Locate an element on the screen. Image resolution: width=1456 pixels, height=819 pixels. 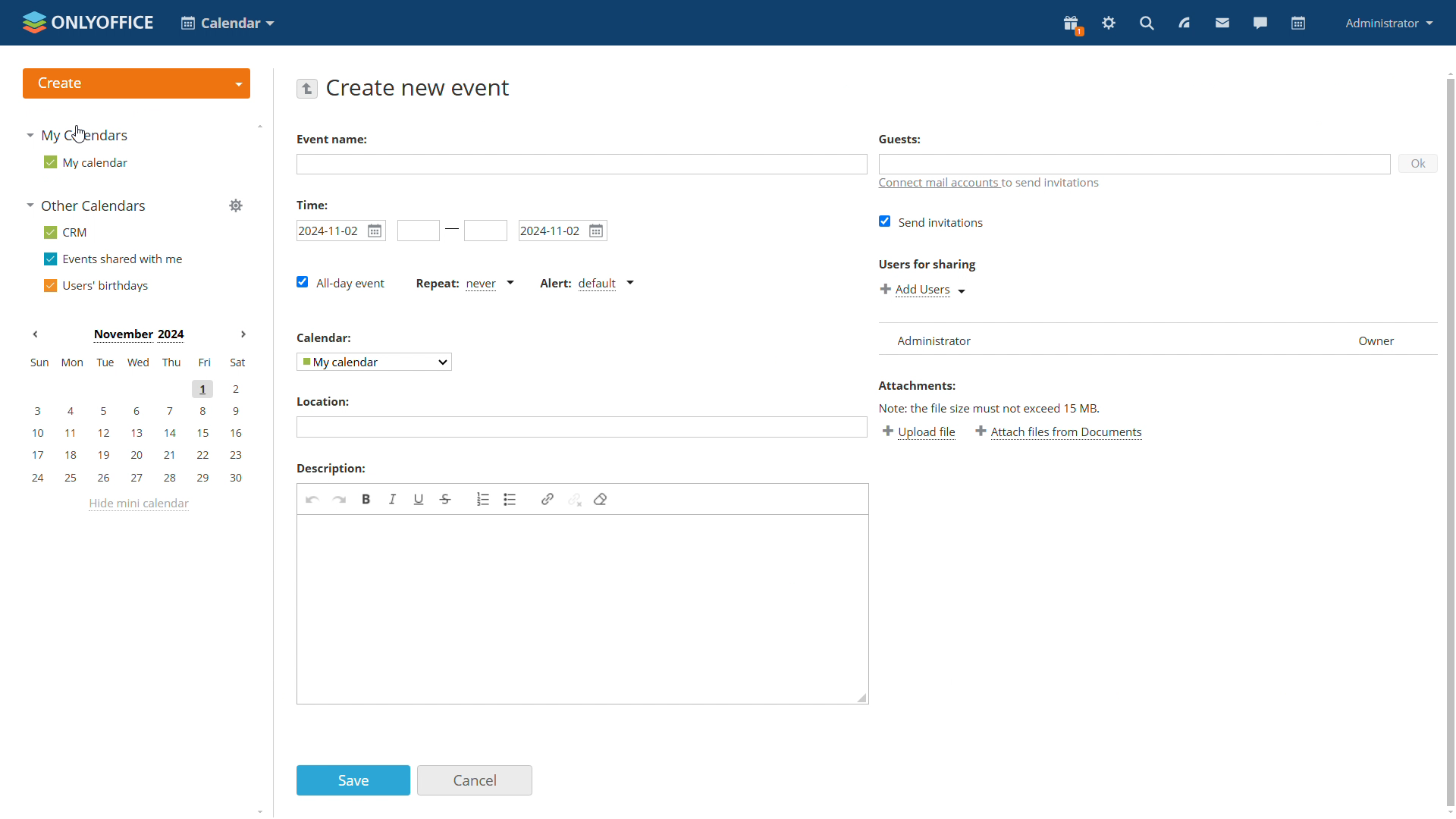
talk is located at coordinates (1260, 24).